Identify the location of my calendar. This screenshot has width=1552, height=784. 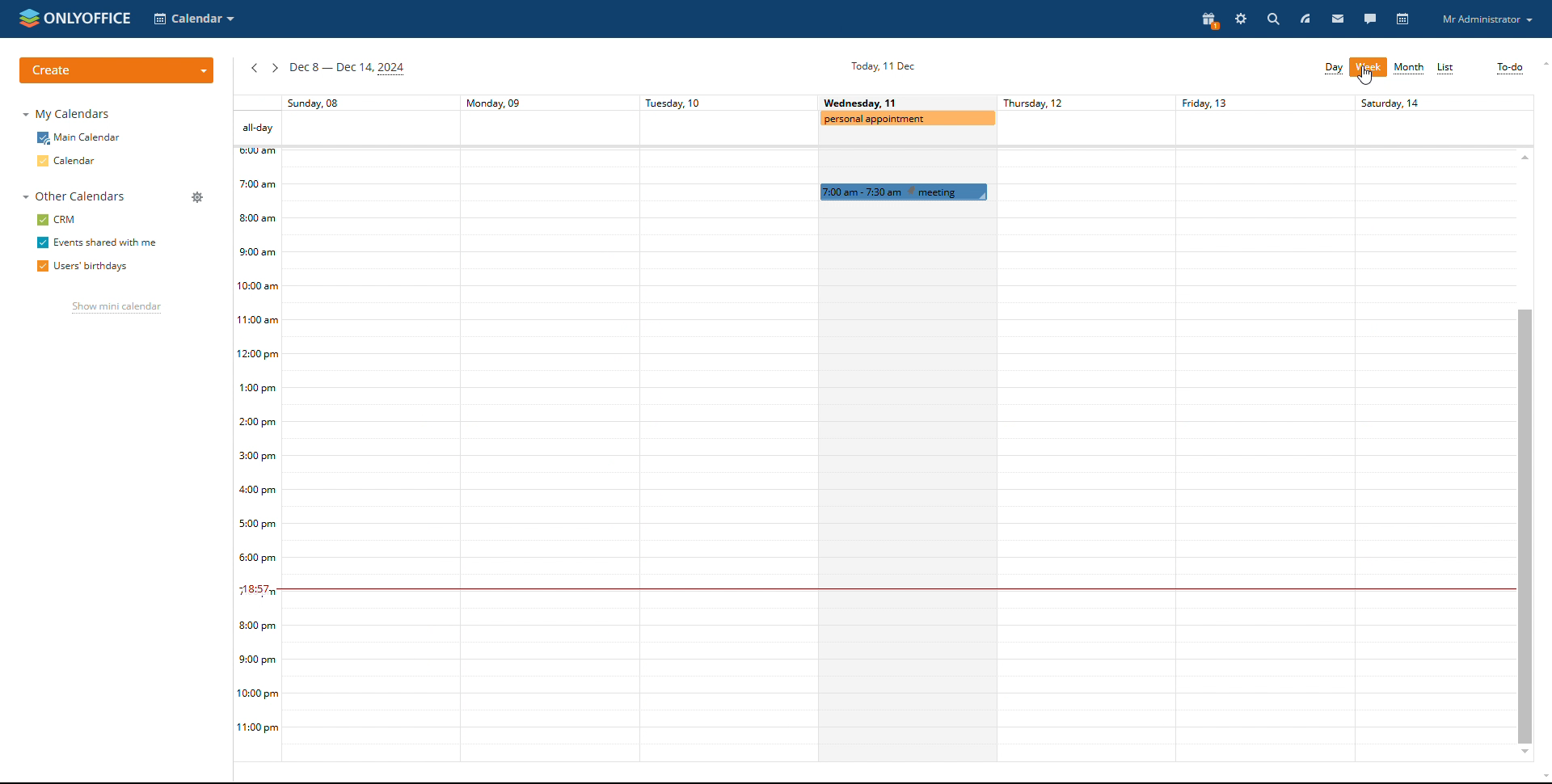
(69, 113).